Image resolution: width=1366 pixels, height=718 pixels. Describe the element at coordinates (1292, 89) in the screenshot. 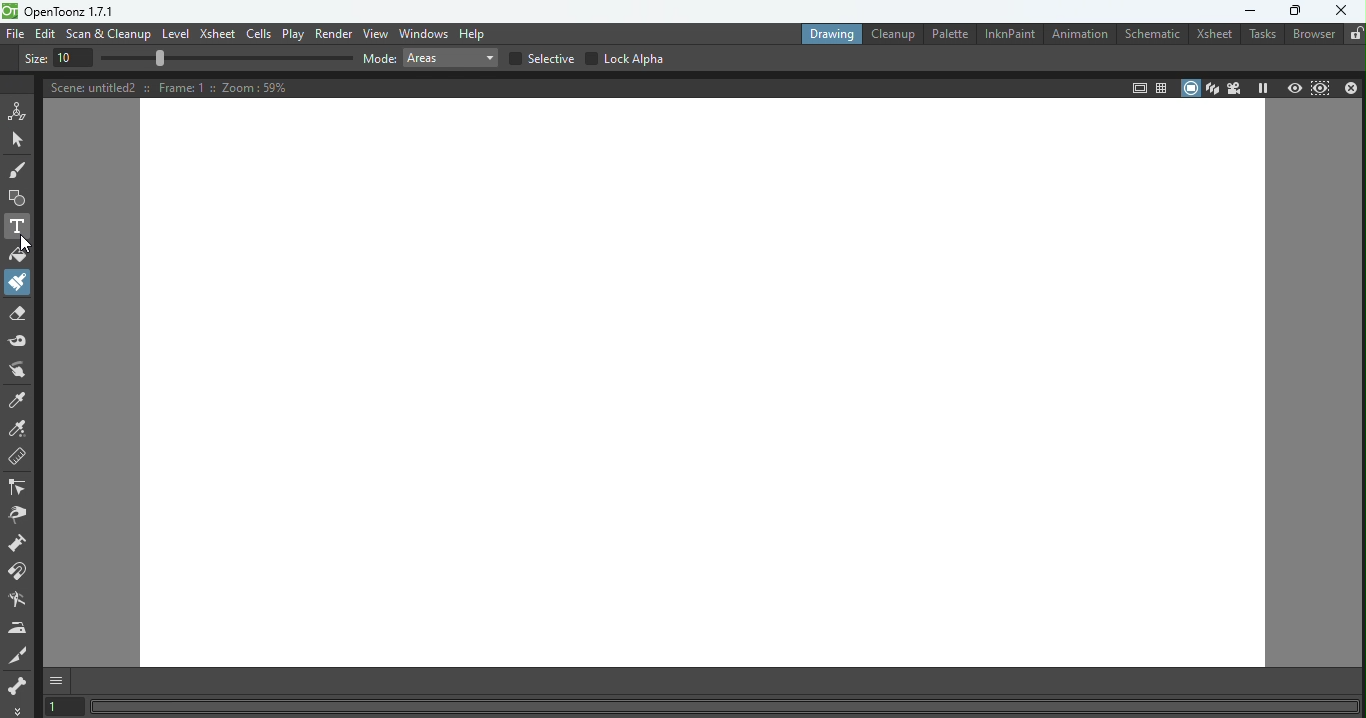

I see `Preview` at that location.